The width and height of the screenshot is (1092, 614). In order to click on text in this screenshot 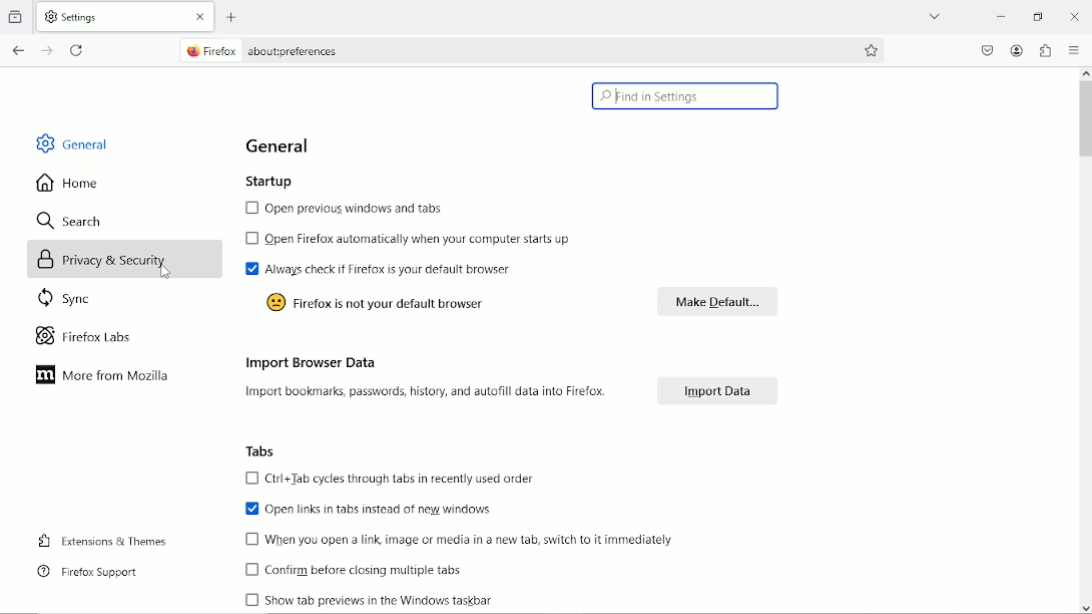, I will do `click(377, 509)`.